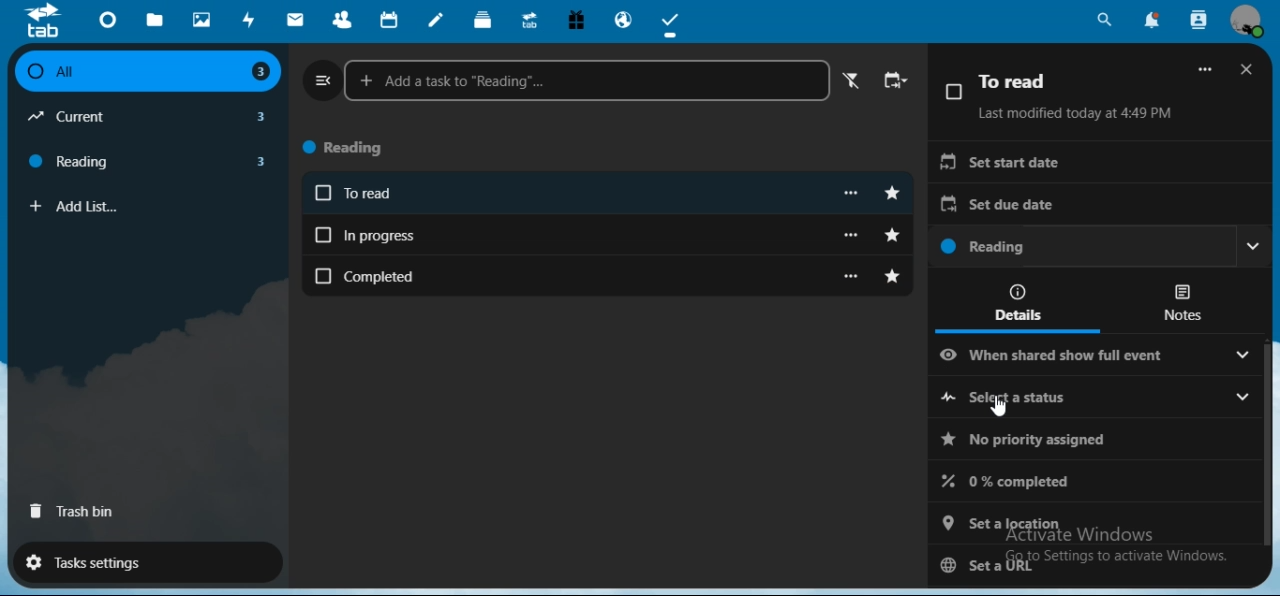 Image resolution: width=1280 pixels, height=596 pixels. Describe the element at coordinates (530, 20) in the screenshot. I see `upgrade` at that location.